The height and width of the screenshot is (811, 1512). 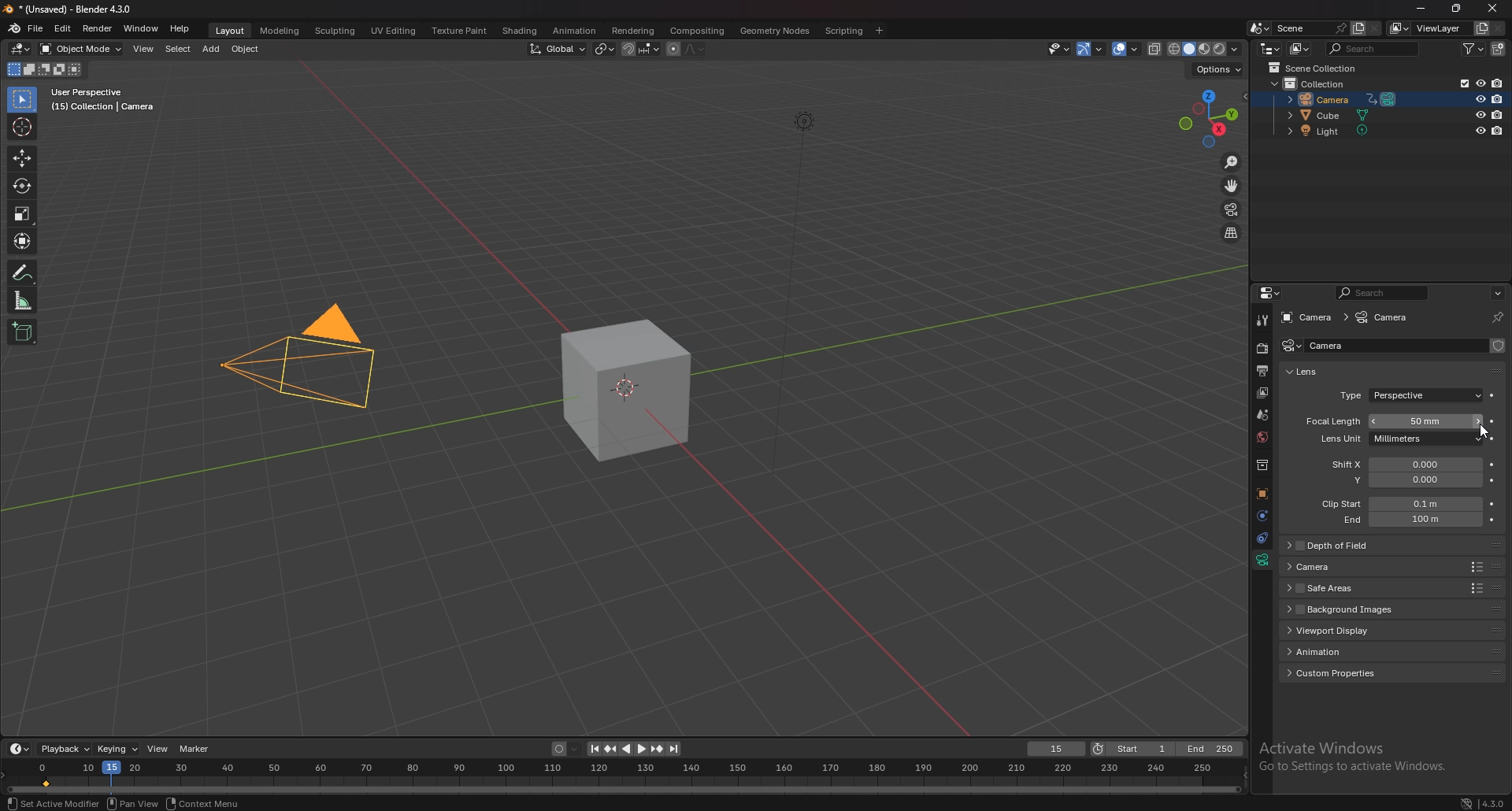 What do you see at coordinates (1263, 438) in the screenshot?
I see `world` at bounding box center [1263, 438].